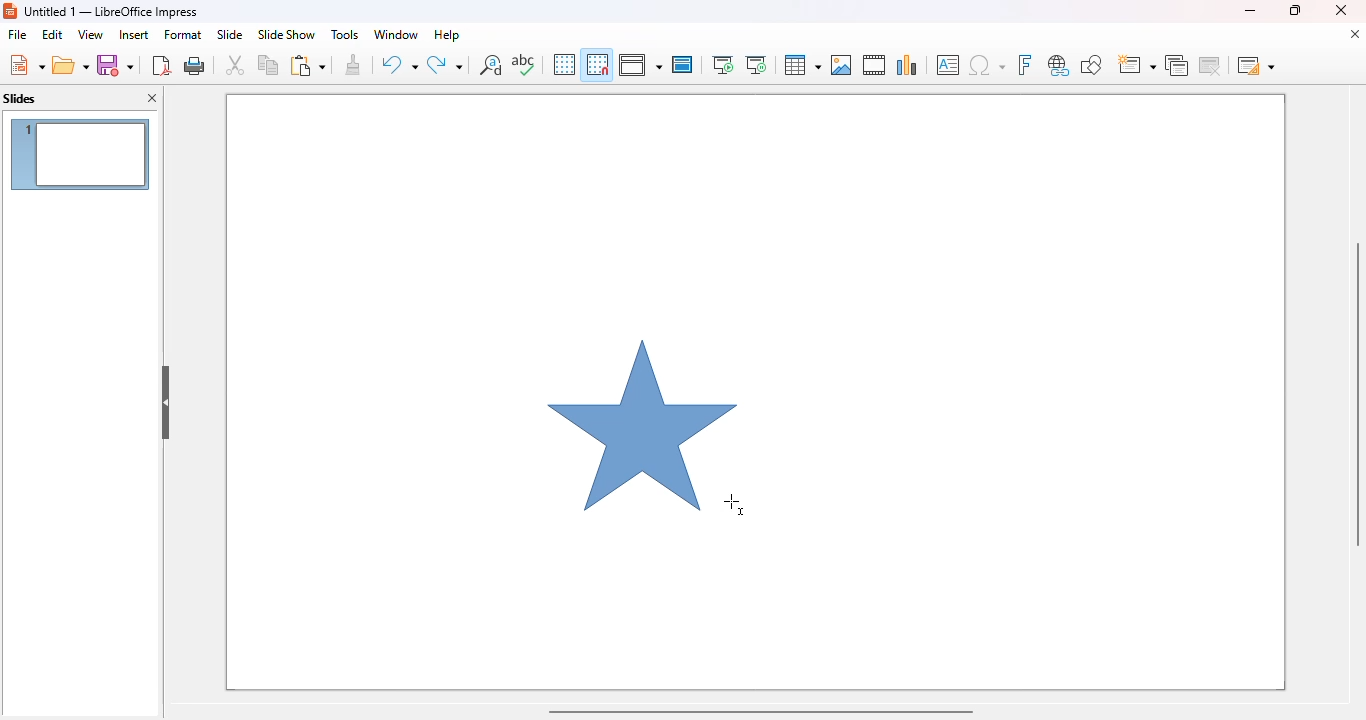 The width and height of the screenshot is (1366, 720). What do you see at coordinates (1354, 34) in the screenshot?
I see `close document` at bounding box center [1354, 34].